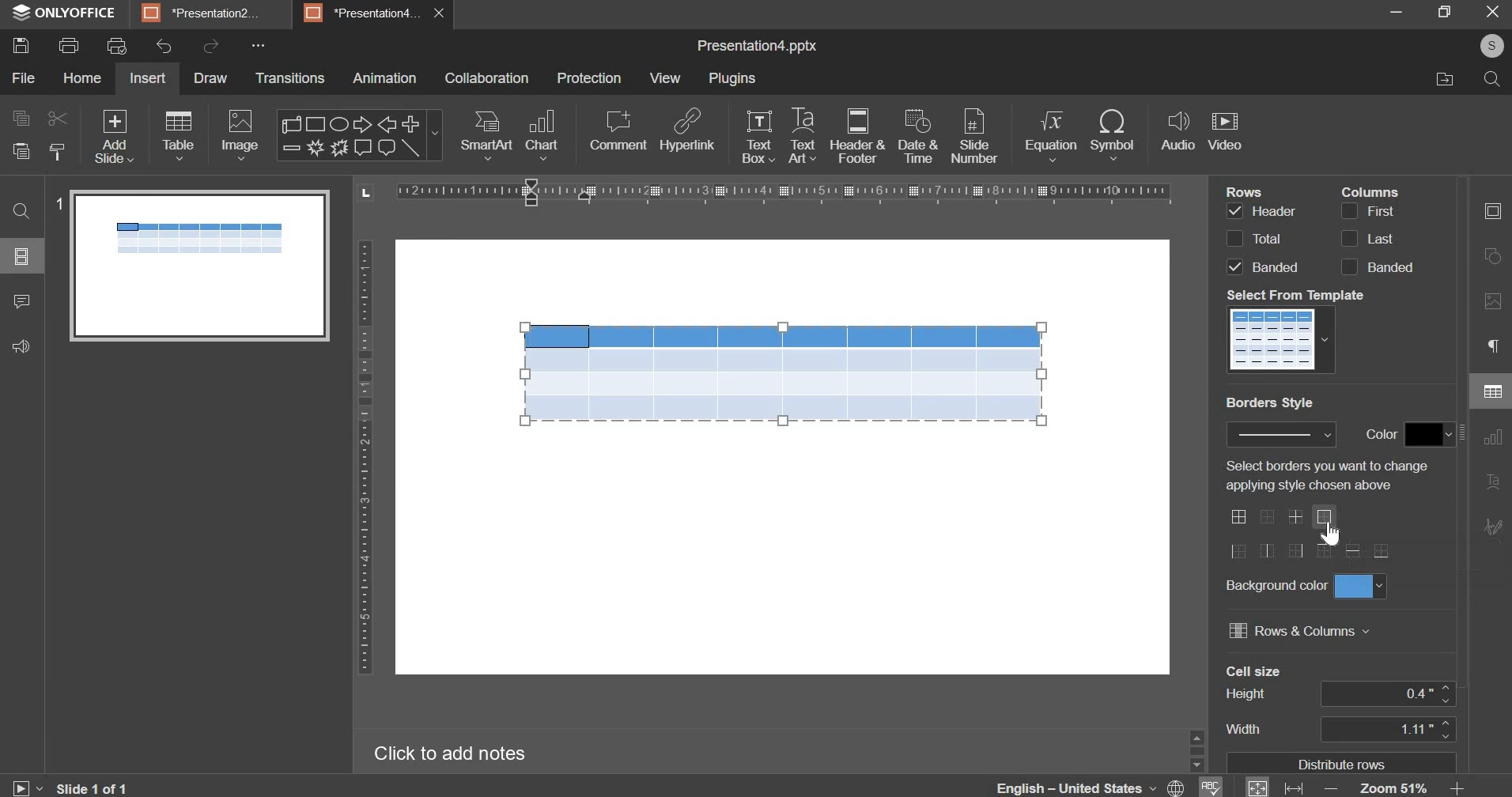 This screenshot has width=1512, height=797. What do you see at coordinates (1409, 434) in the screenshot?
I see `color ` at bounding box center [1409, 434].